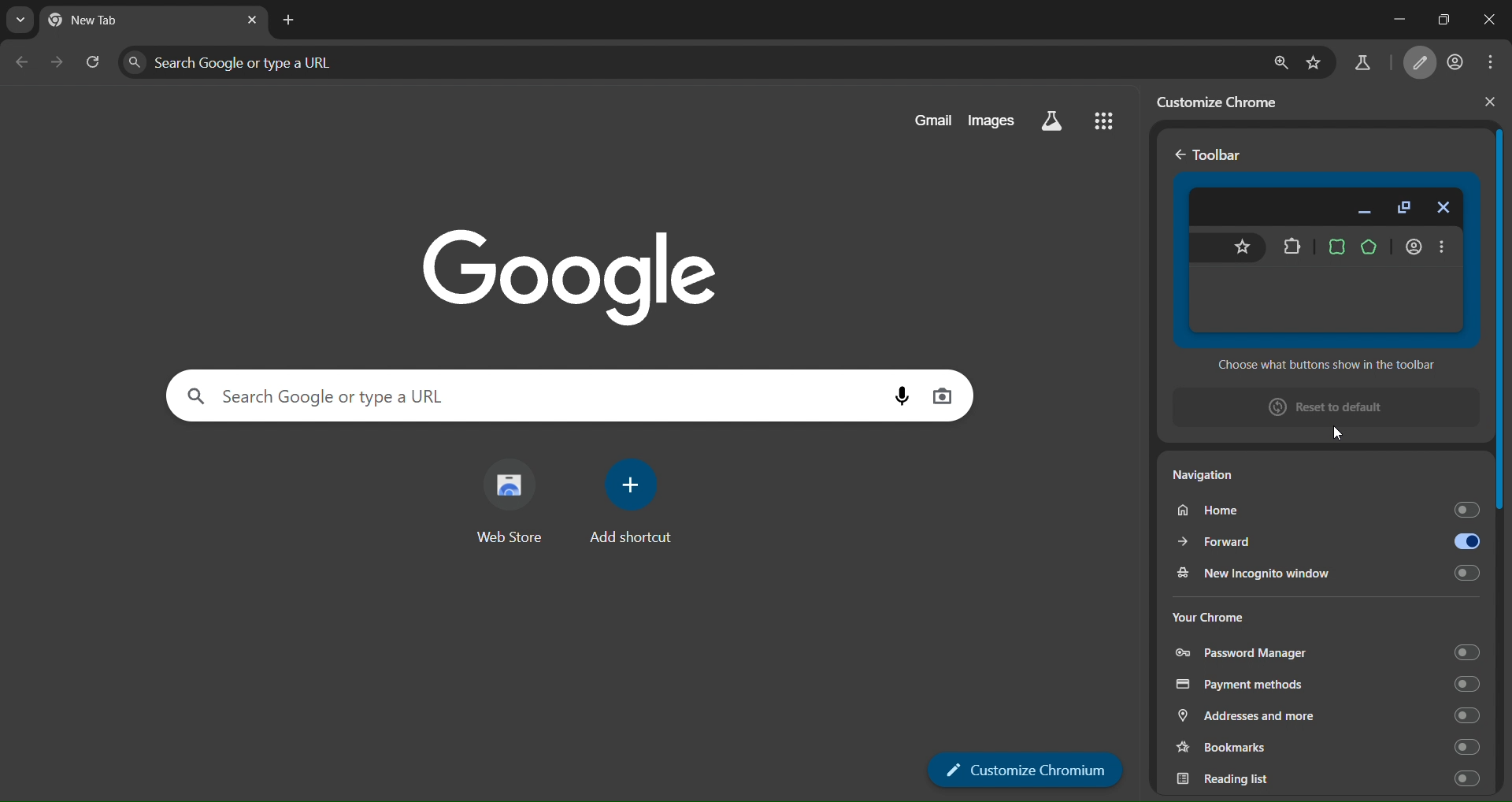  I want to click on customize chromium, so click(1026, 770).